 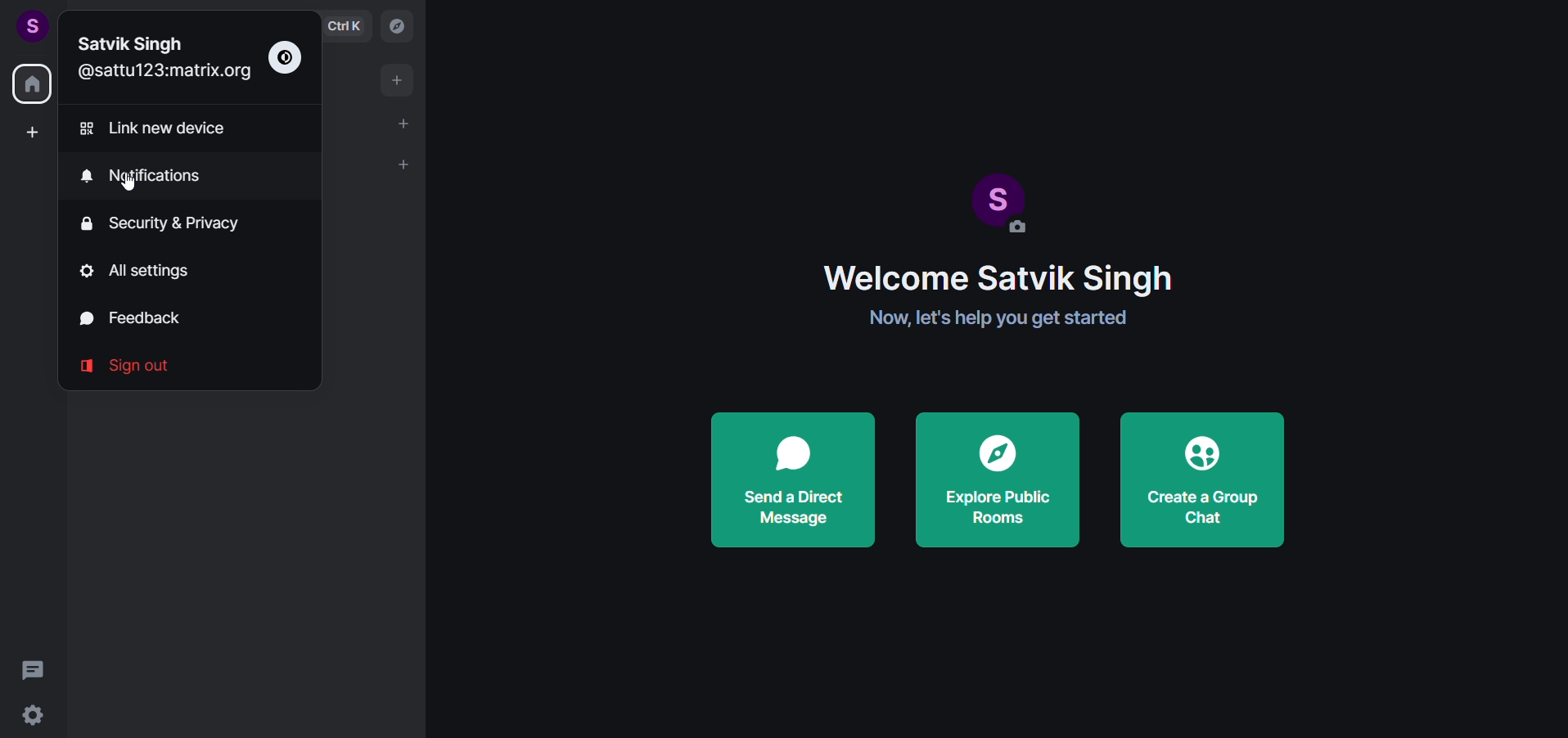 I want to click on Cursor, so click(x=130, y=183).